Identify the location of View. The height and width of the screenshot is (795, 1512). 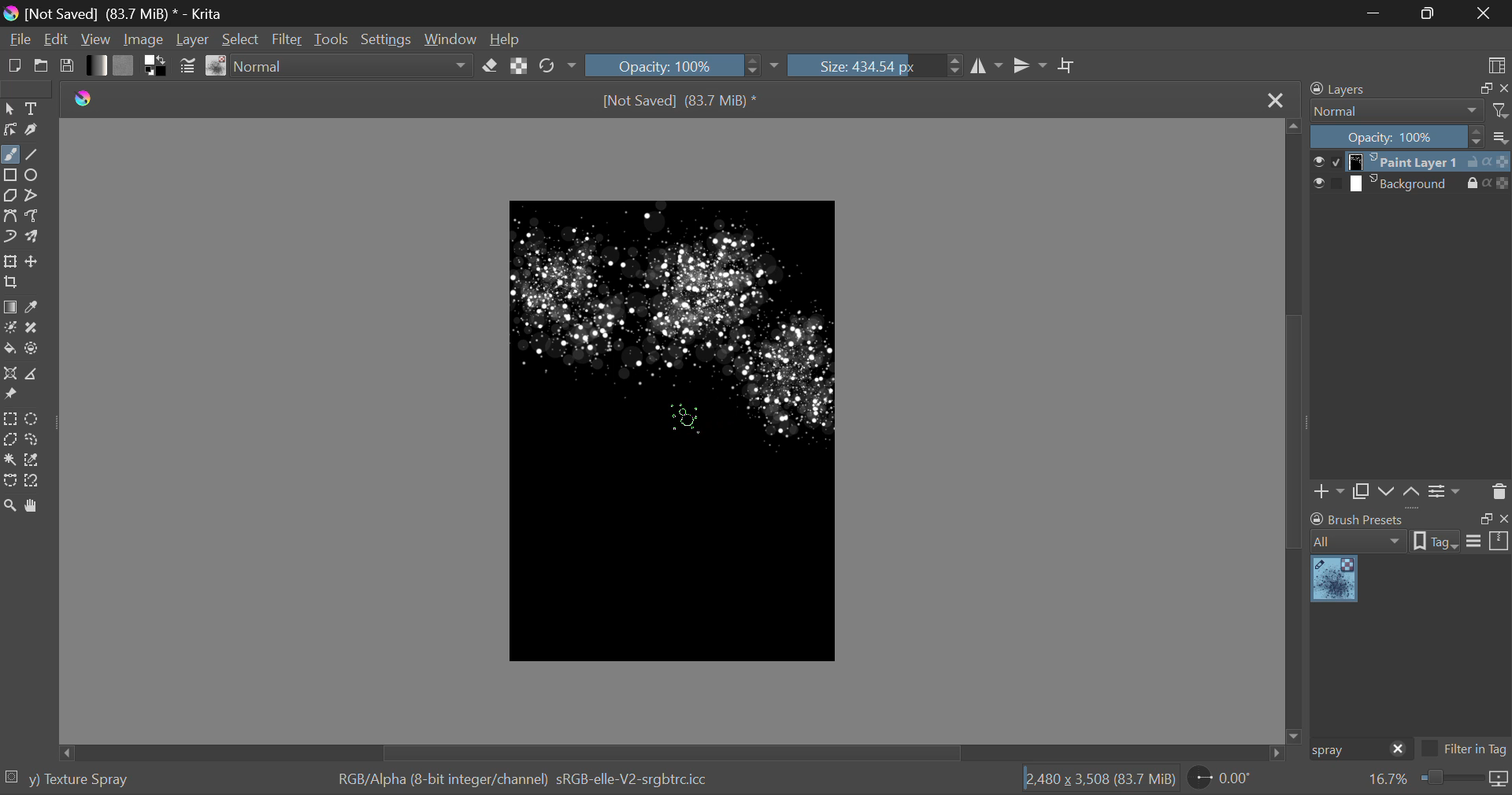
(98, 39).